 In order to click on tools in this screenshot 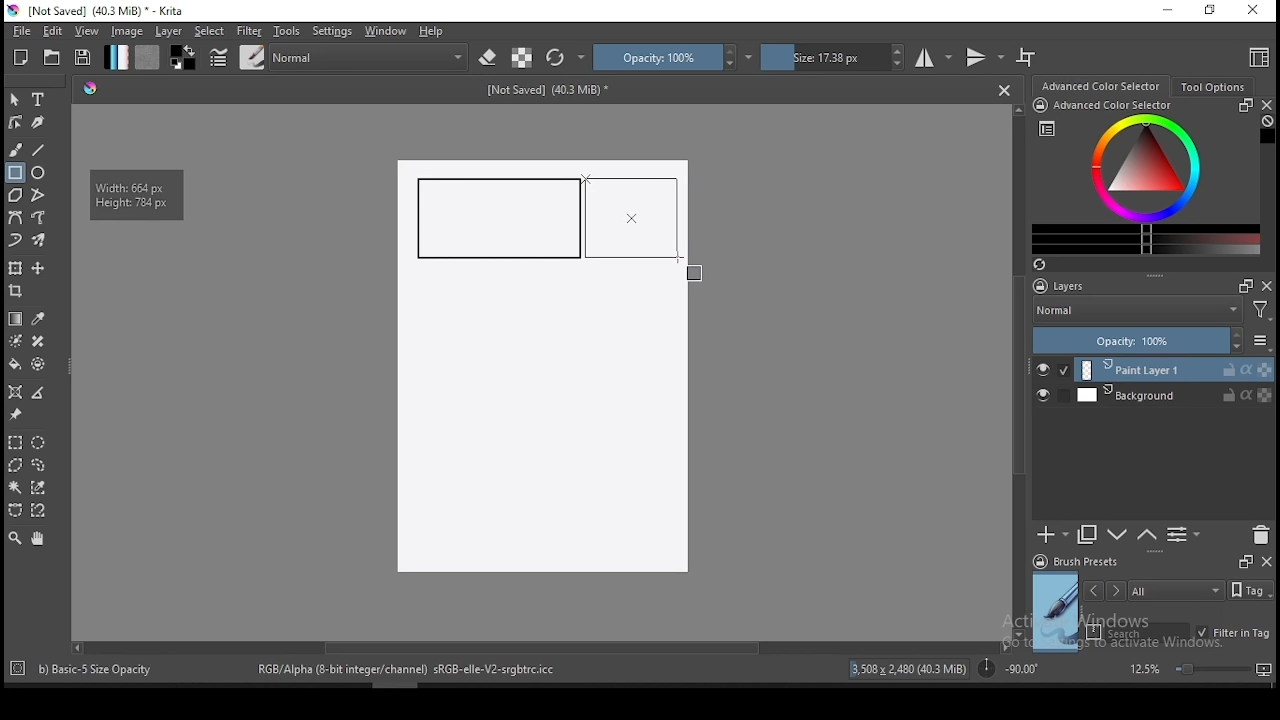, I will do `click(287, 31)`.